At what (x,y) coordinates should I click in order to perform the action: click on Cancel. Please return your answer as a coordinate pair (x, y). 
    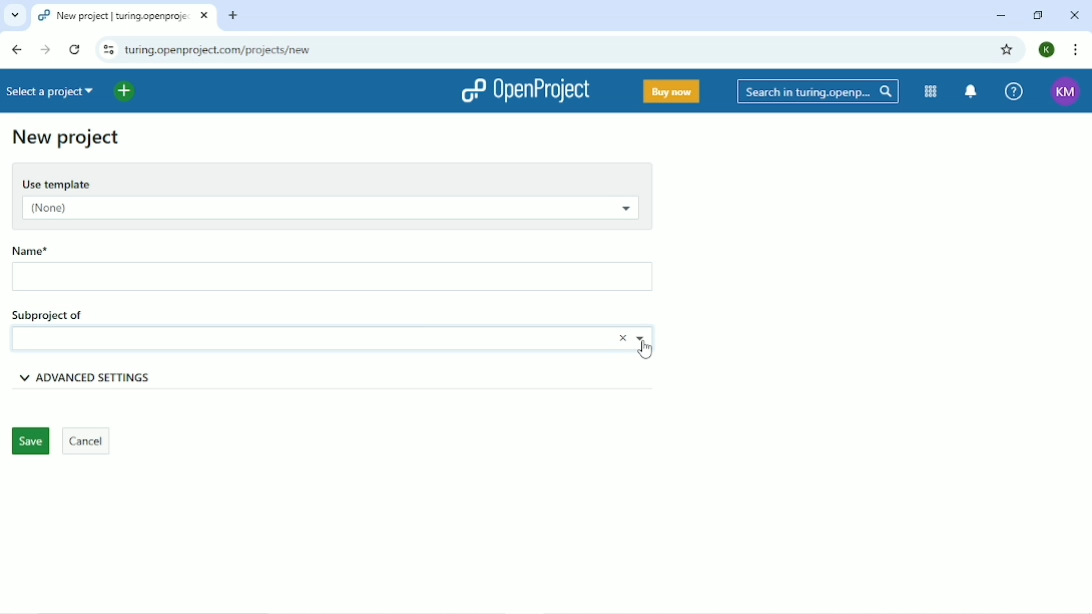
    Looking at the image, I should click on (87, 441).